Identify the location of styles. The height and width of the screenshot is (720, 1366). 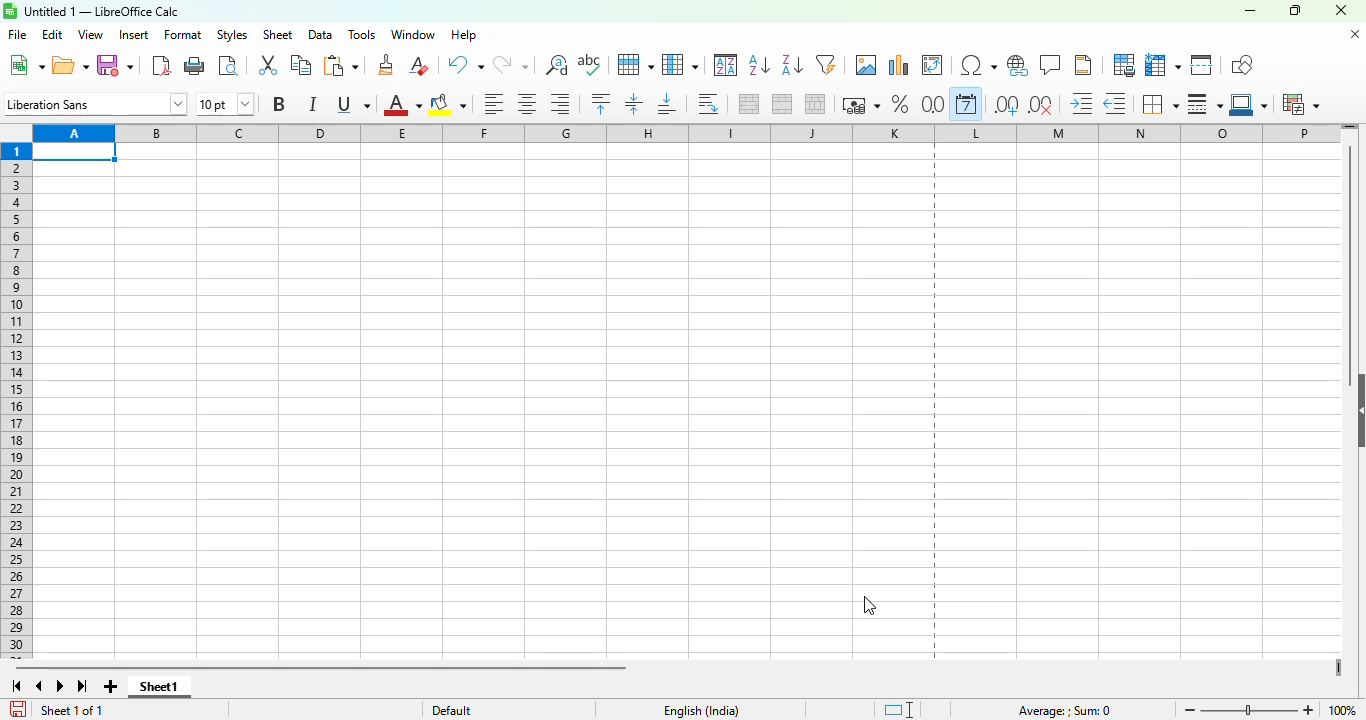
(232, 35).